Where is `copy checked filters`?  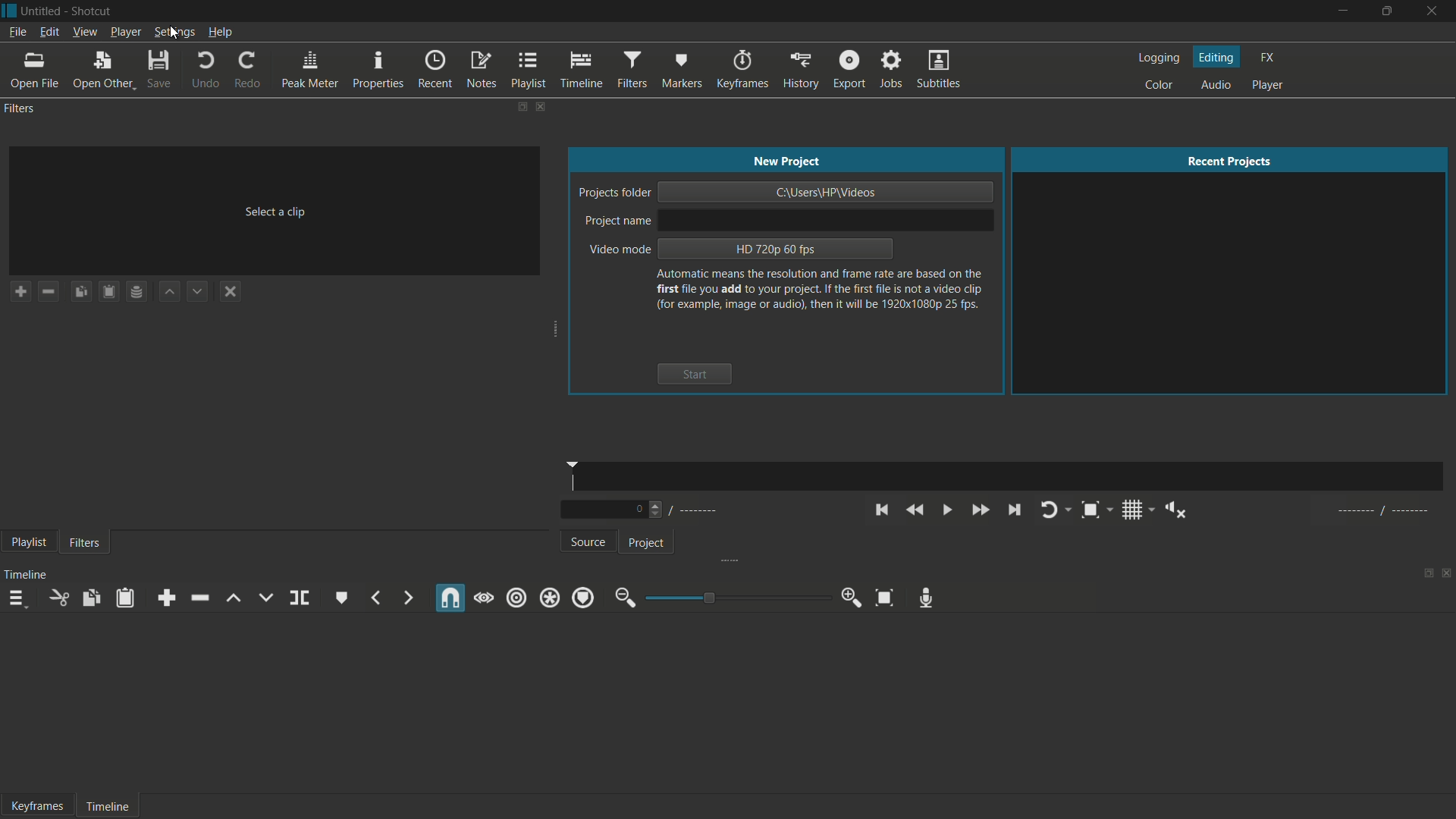 copy checked filters is located at coordinates (81, 292).